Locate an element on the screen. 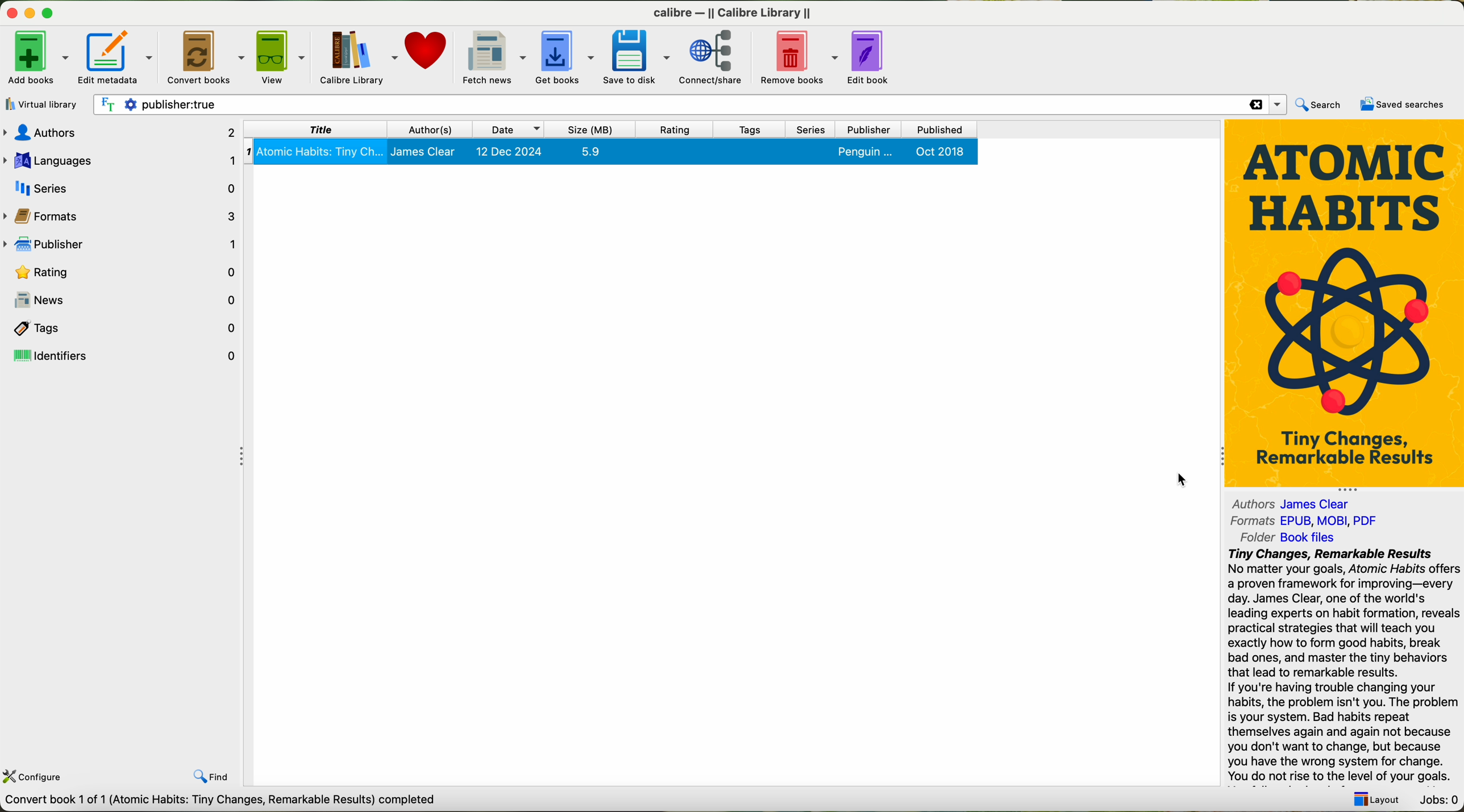 This screenshot has width=1464, height=812. view is located at coordinates (282, 56).